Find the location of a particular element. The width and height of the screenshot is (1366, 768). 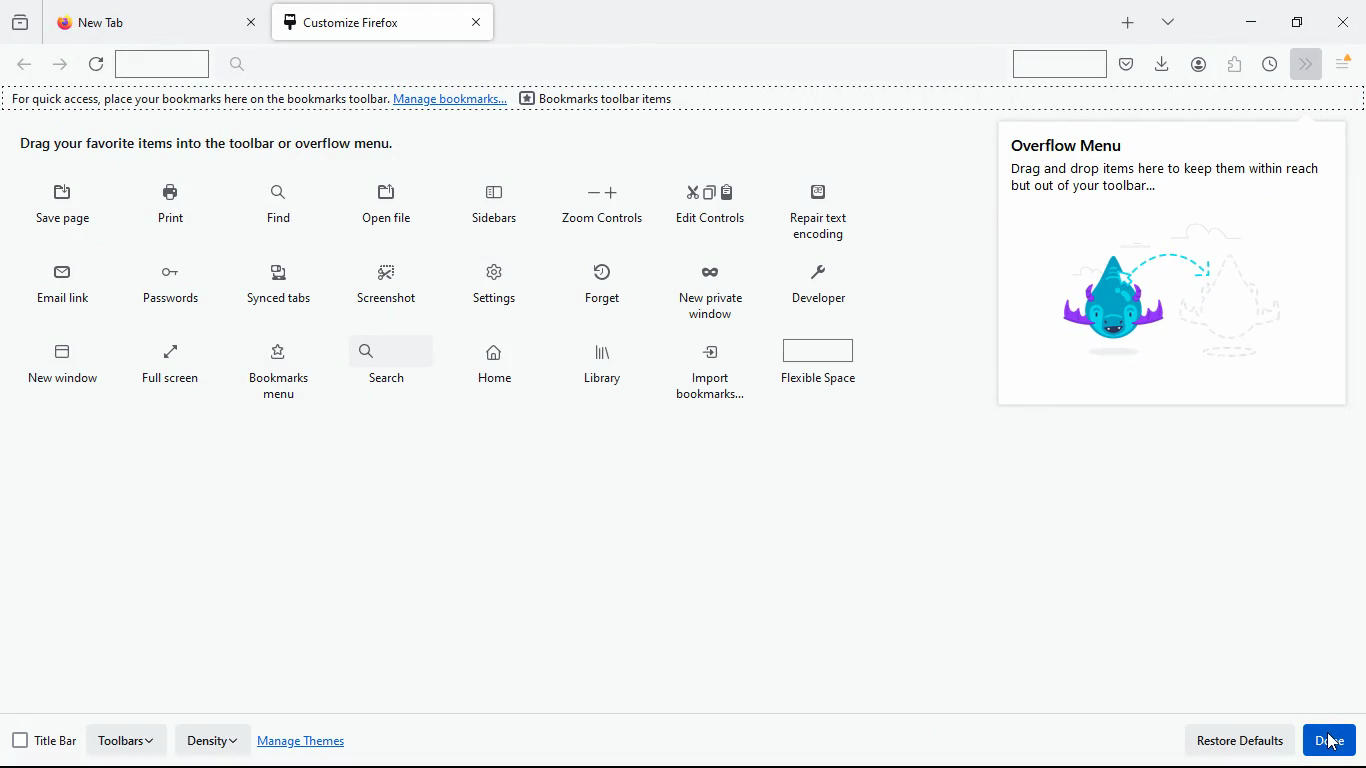

forward is located at coordinates (62, 67).